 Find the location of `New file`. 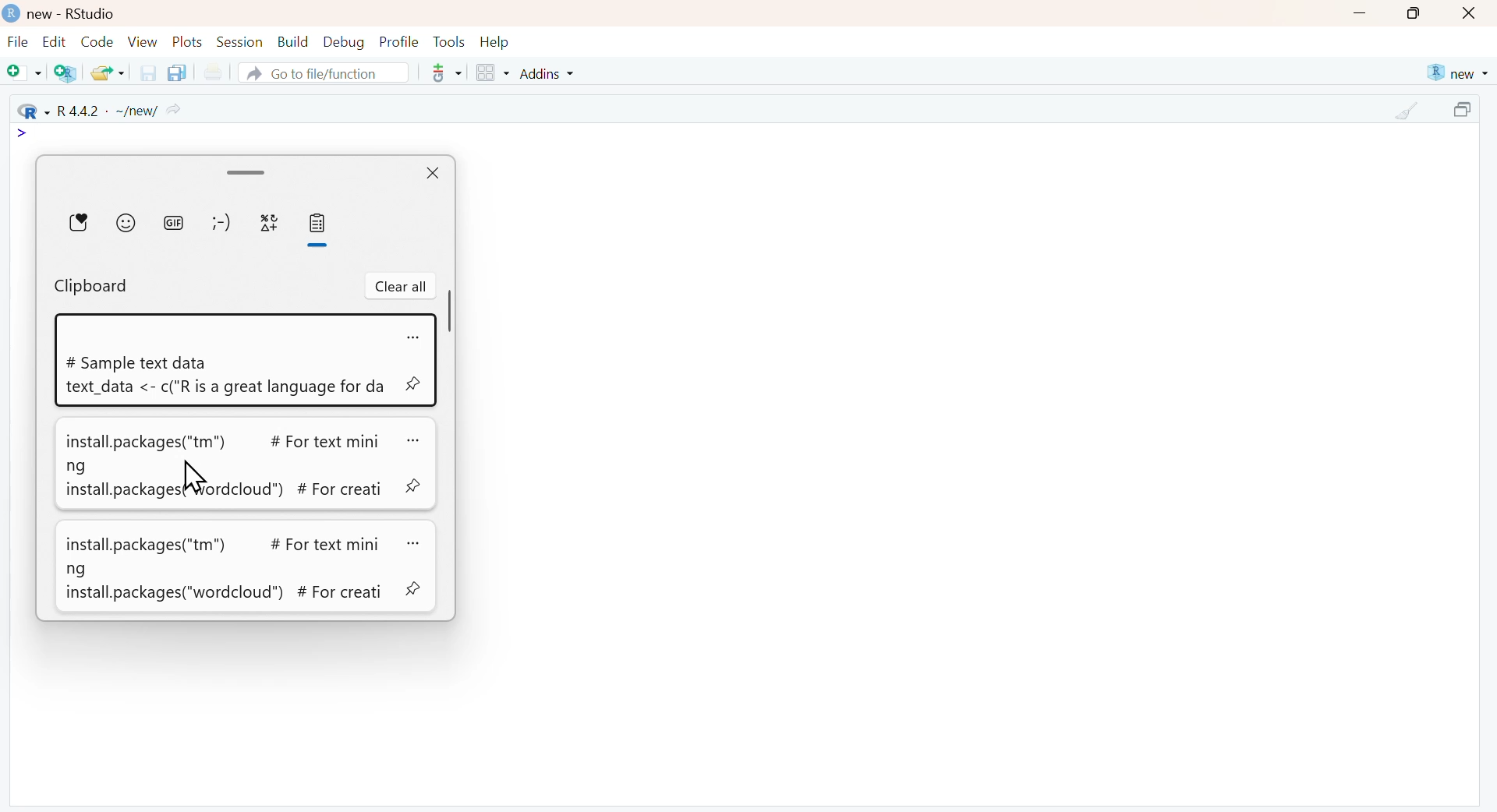

New file is located at coordinates (23, 73).